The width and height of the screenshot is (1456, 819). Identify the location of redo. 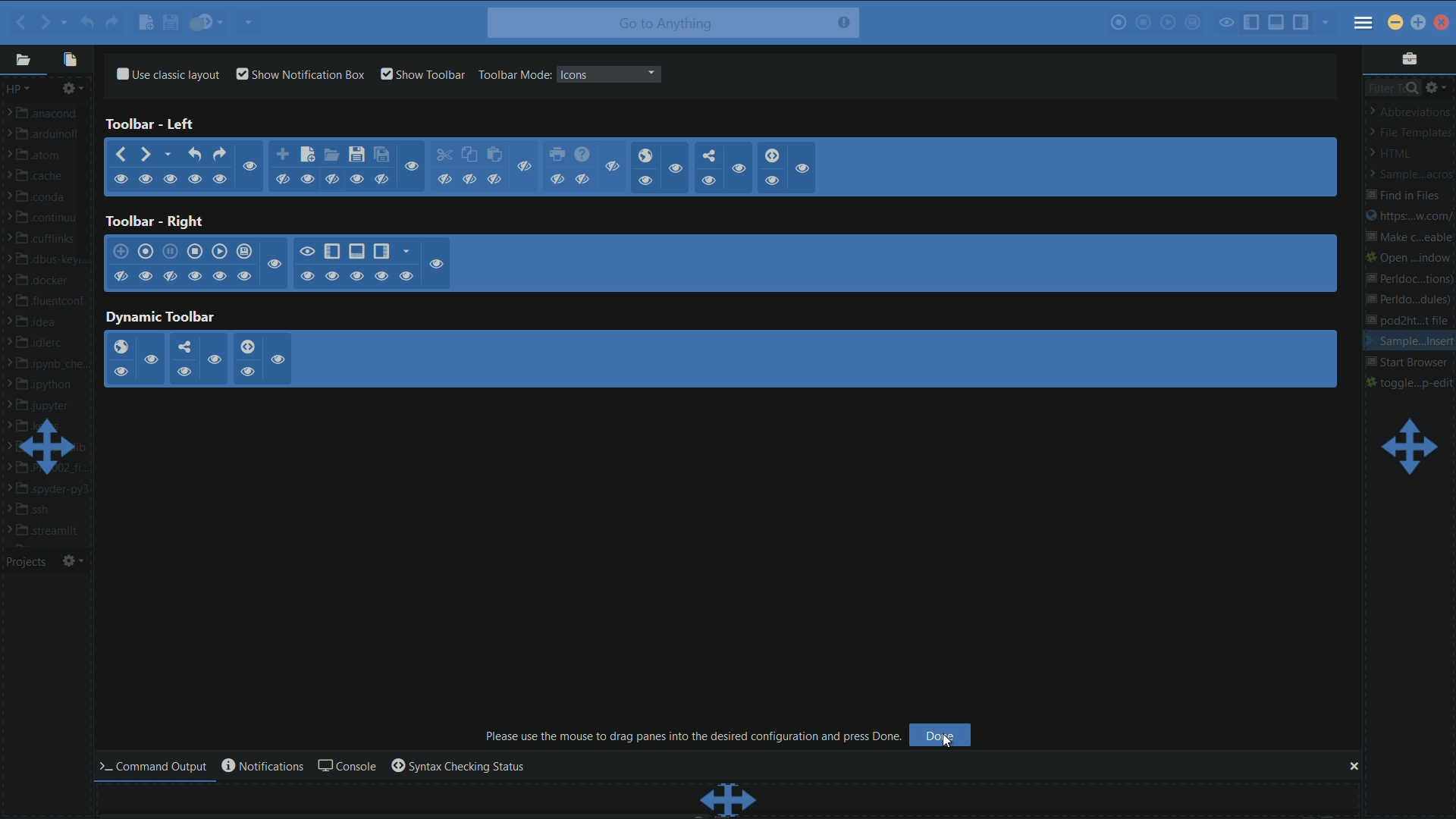
(111, 22).